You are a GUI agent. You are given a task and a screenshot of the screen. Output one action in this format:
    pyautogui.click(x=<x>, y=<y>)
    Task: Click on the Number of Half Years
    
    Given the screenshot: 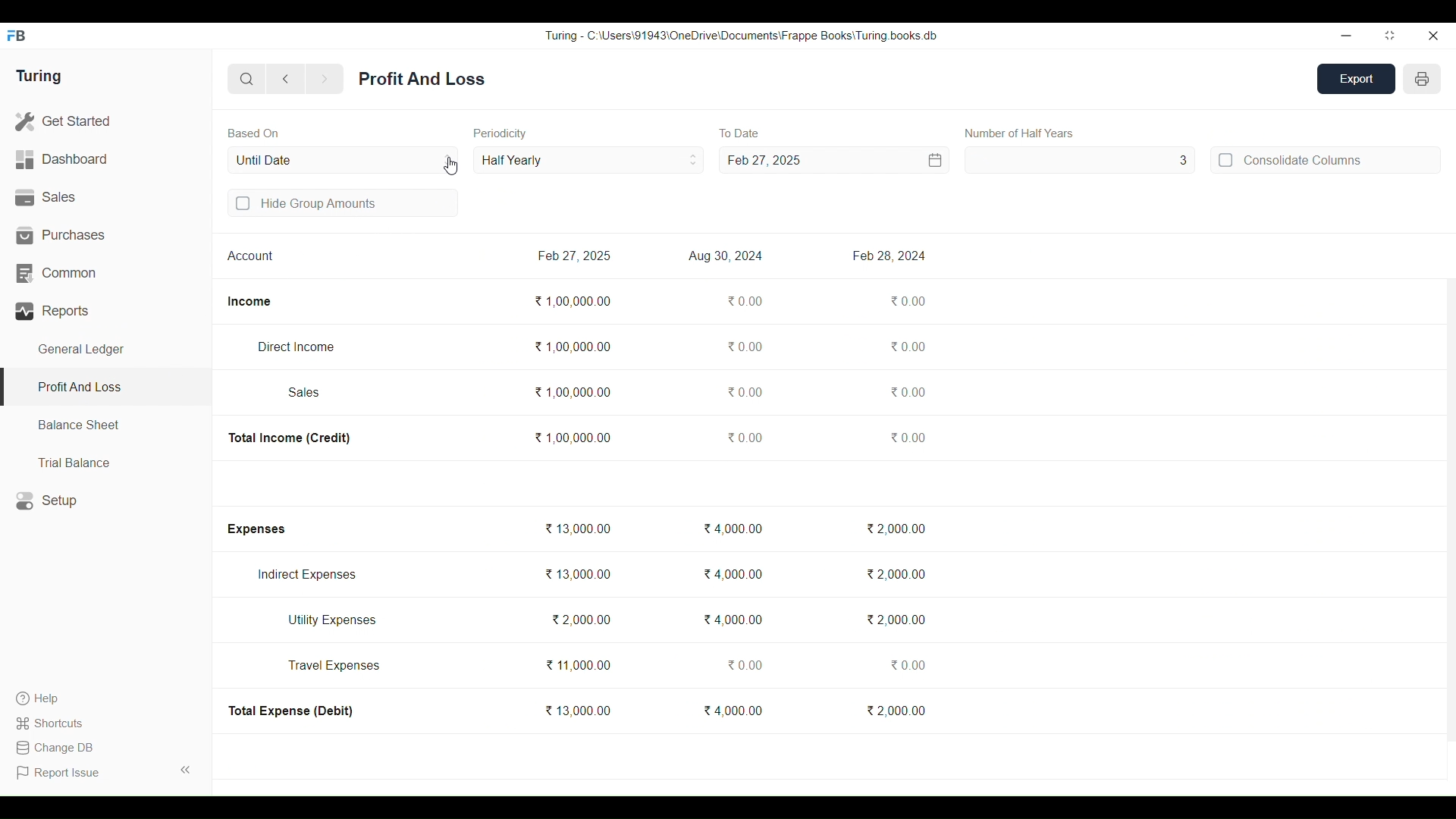 What is the action you would take?
    pyautogui.click(x=1020, y=133)
    